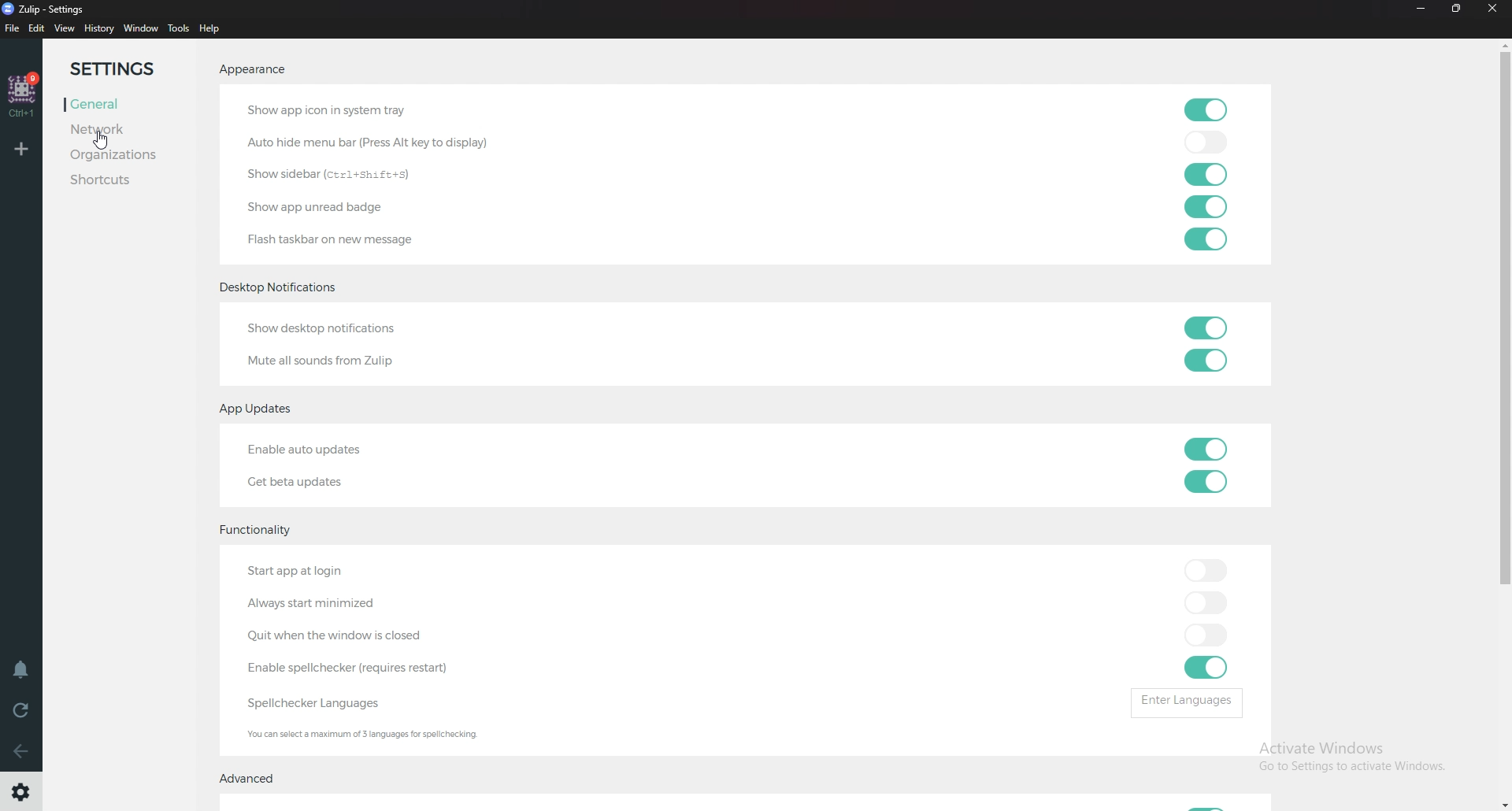 The width and height of the screenshot is (1512, 811). What do you see at coordinates (20, 709) in the screenshot?
I see `Reload` at bounding box center [20, 709].